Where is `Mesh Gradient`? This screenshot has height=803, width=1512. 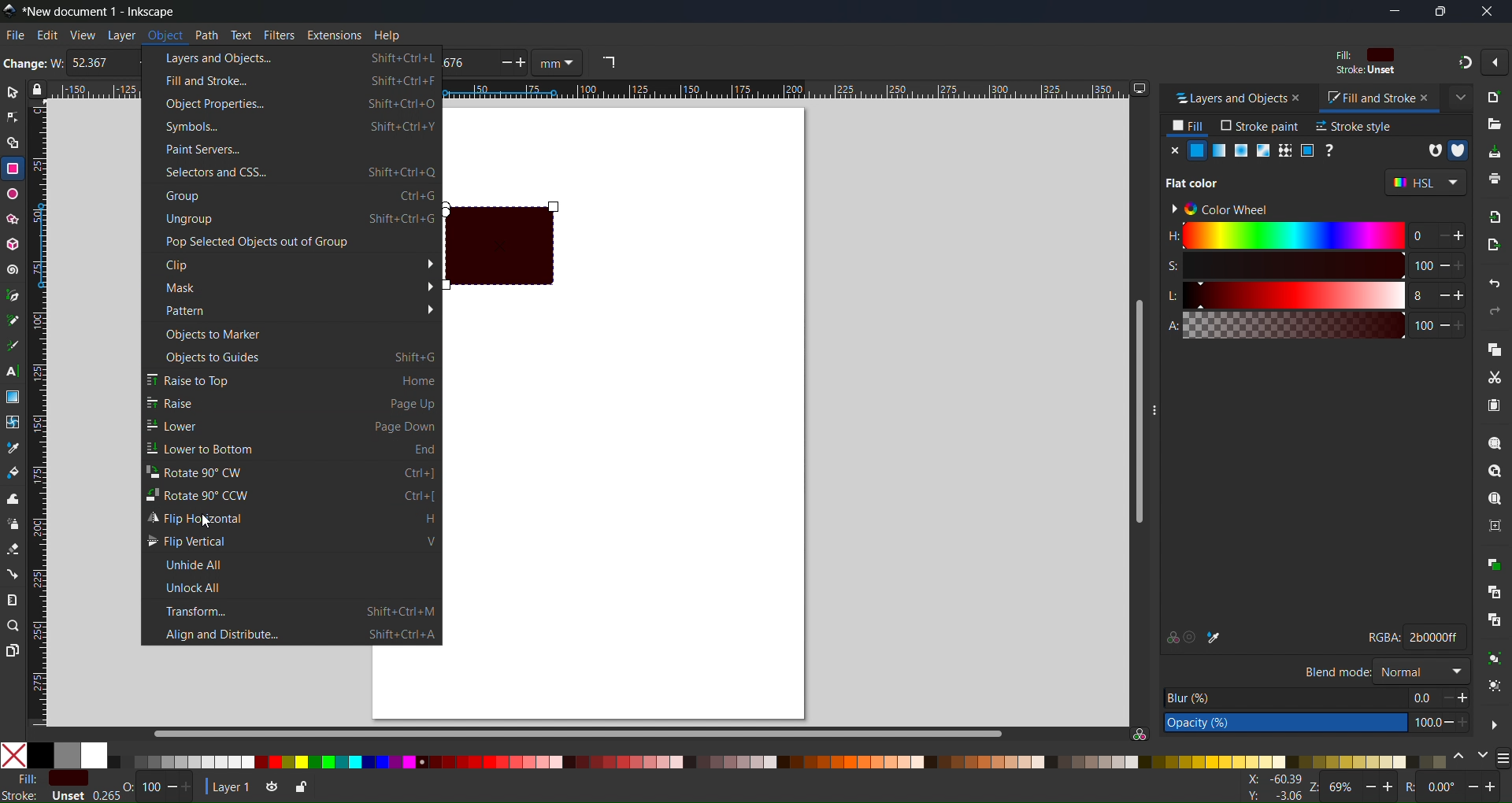 Mesh Gradient is located at coordinates (1261, 150).